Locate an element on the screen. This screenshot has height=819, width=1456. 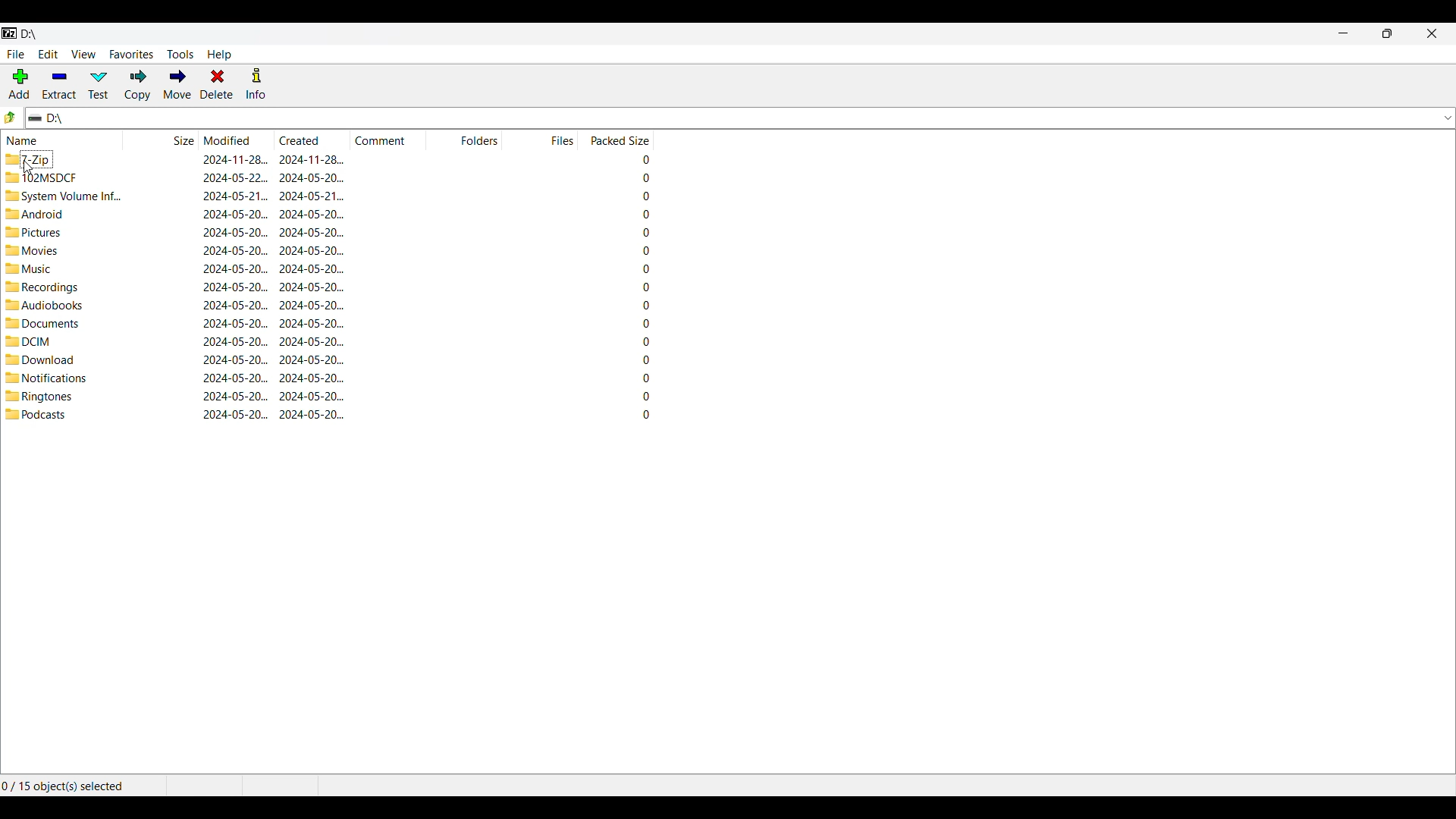
Selected files out of the total number of files in the folder is located at coordinates (66, 784).